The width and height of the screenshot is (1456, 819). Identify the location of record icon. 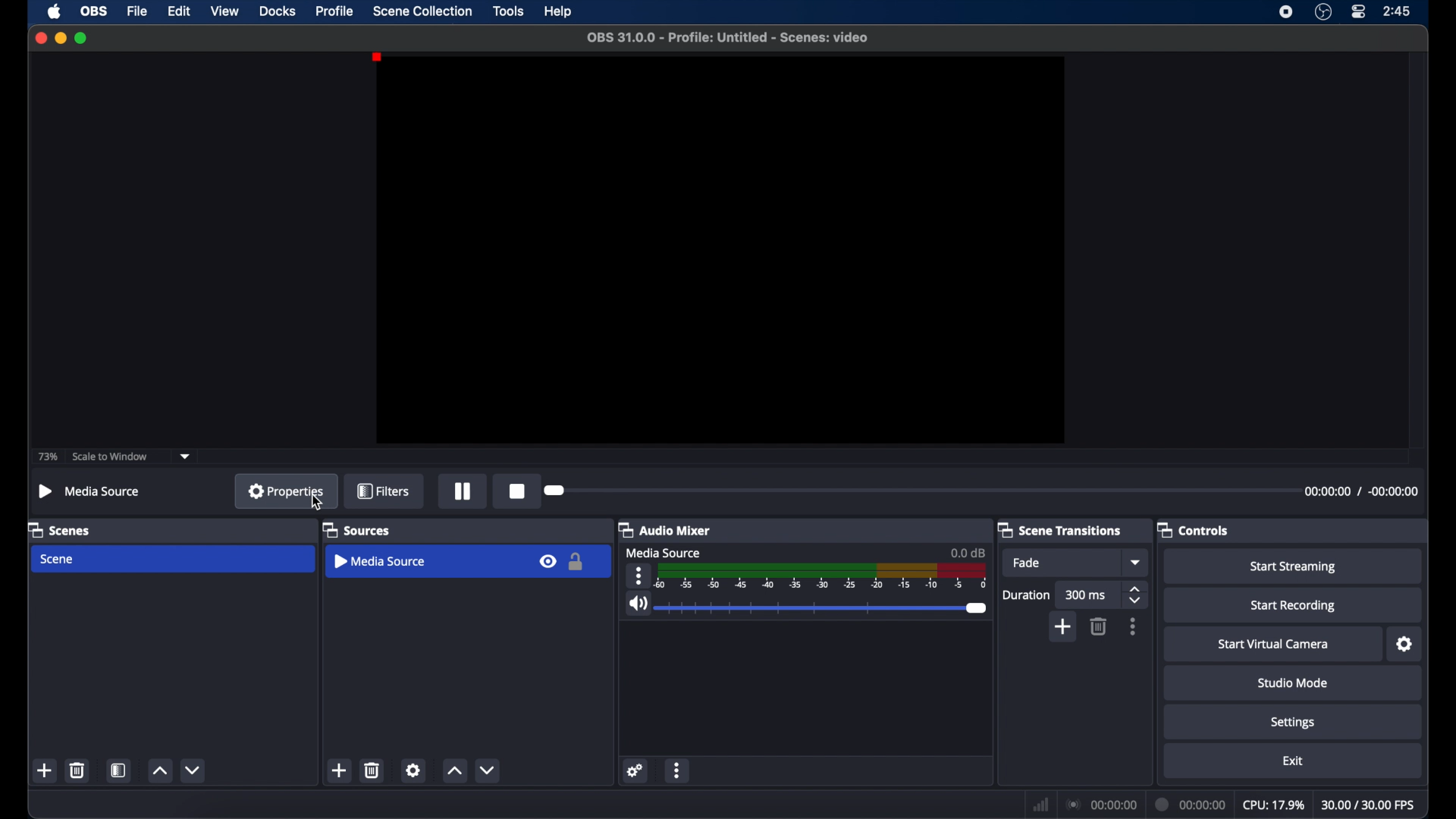
(519, 491).